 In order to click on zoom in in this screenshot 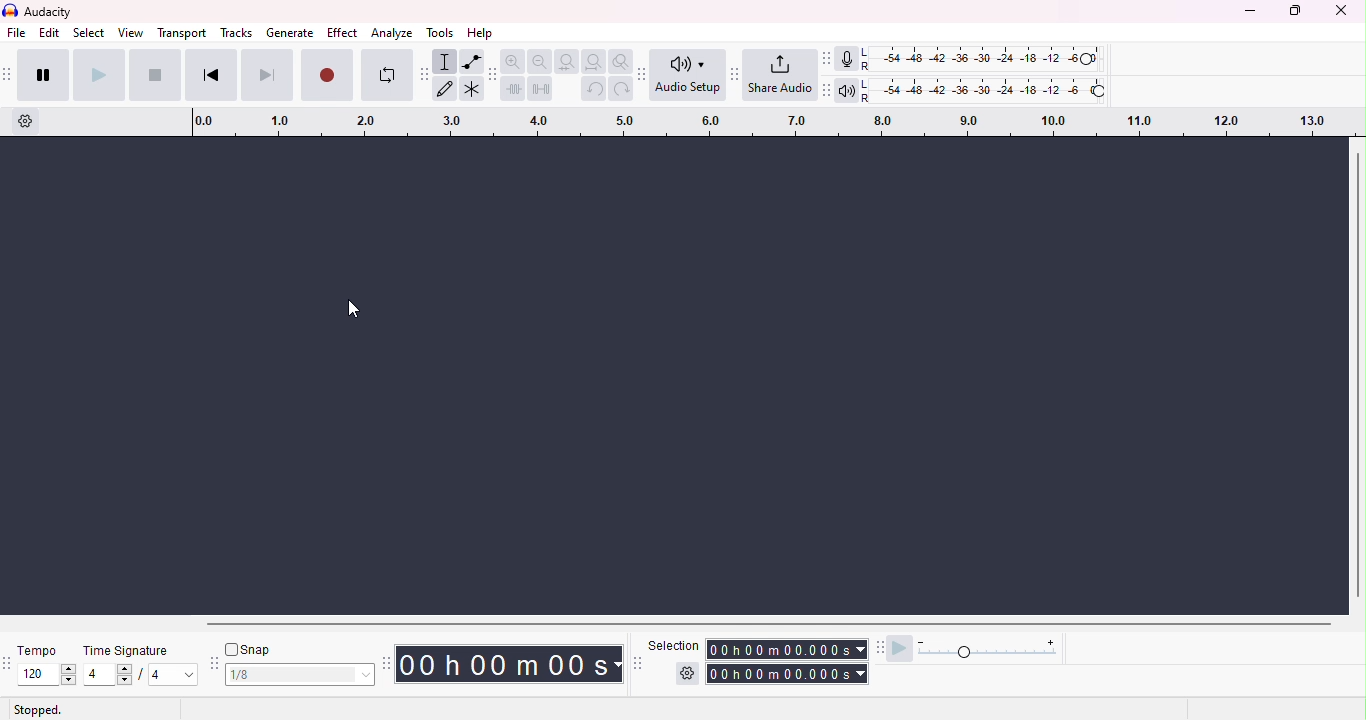, I will do `click(516, 61)`.